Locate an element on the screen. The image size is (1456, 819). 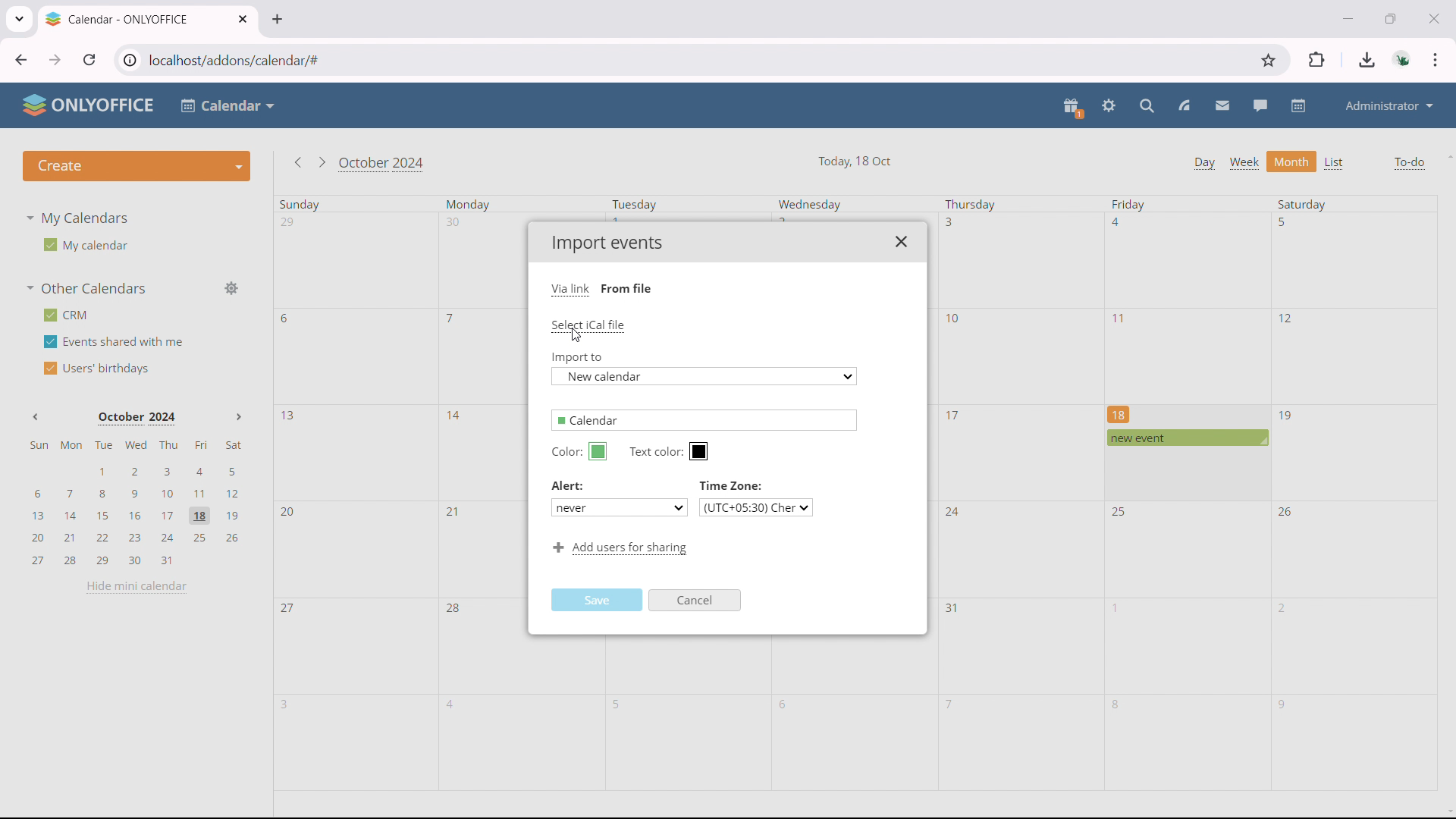
7 is located at coordinates (950, 703).